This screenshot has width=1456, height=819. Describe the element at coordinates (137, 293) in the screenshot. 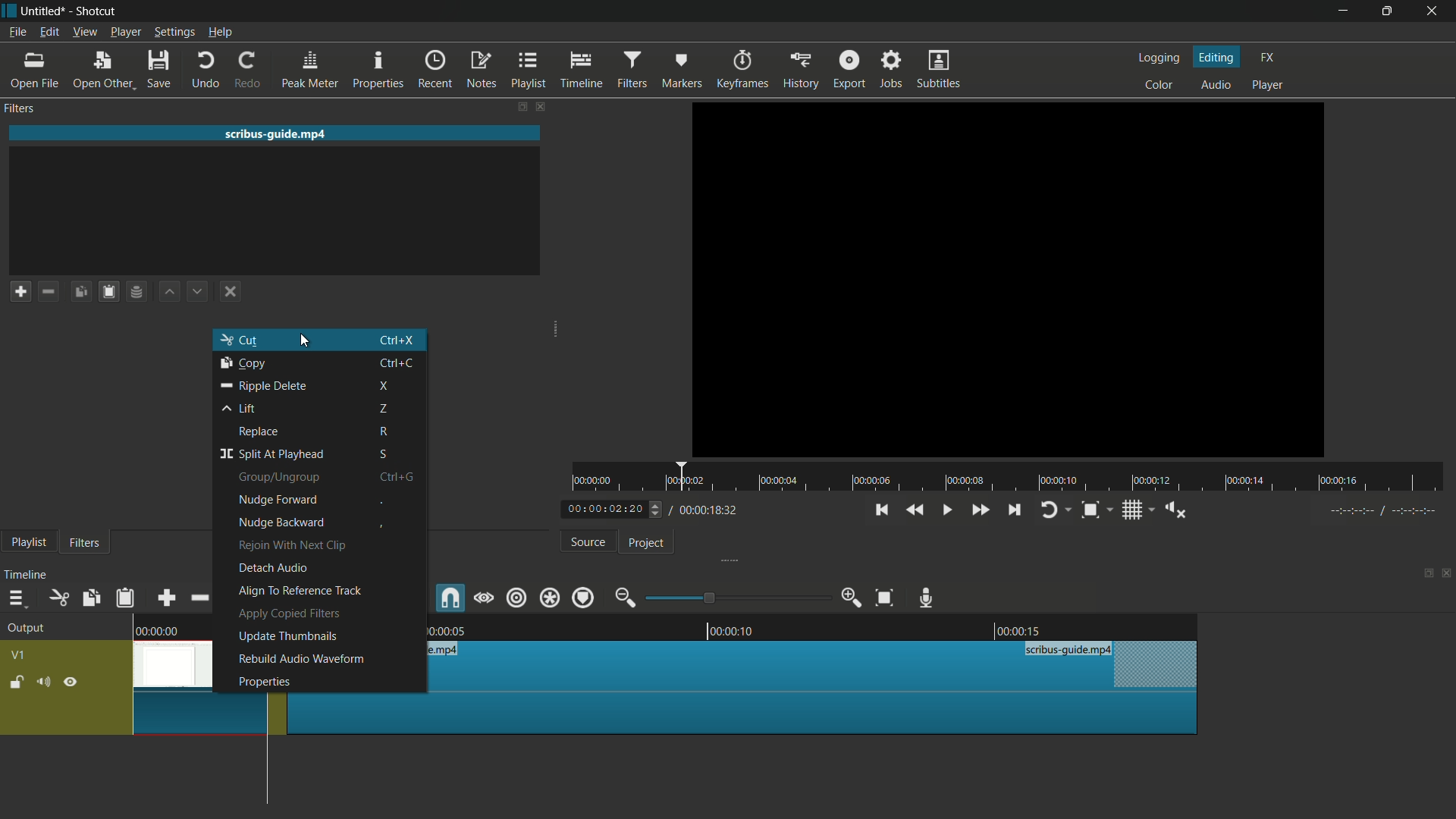

I see `save filter set` at that location.